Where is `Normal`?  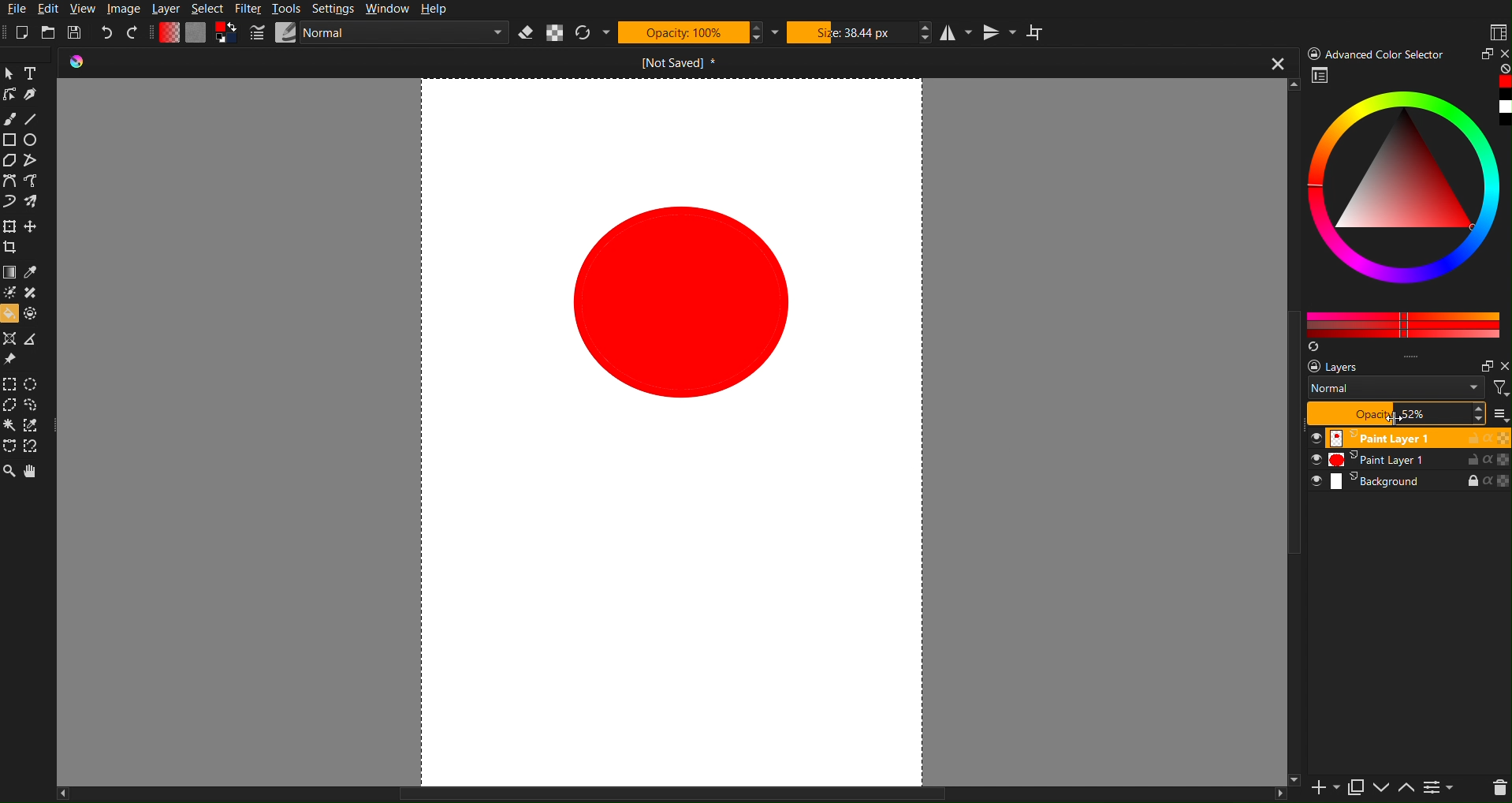
Normal is located at coordinates (1393, 390).